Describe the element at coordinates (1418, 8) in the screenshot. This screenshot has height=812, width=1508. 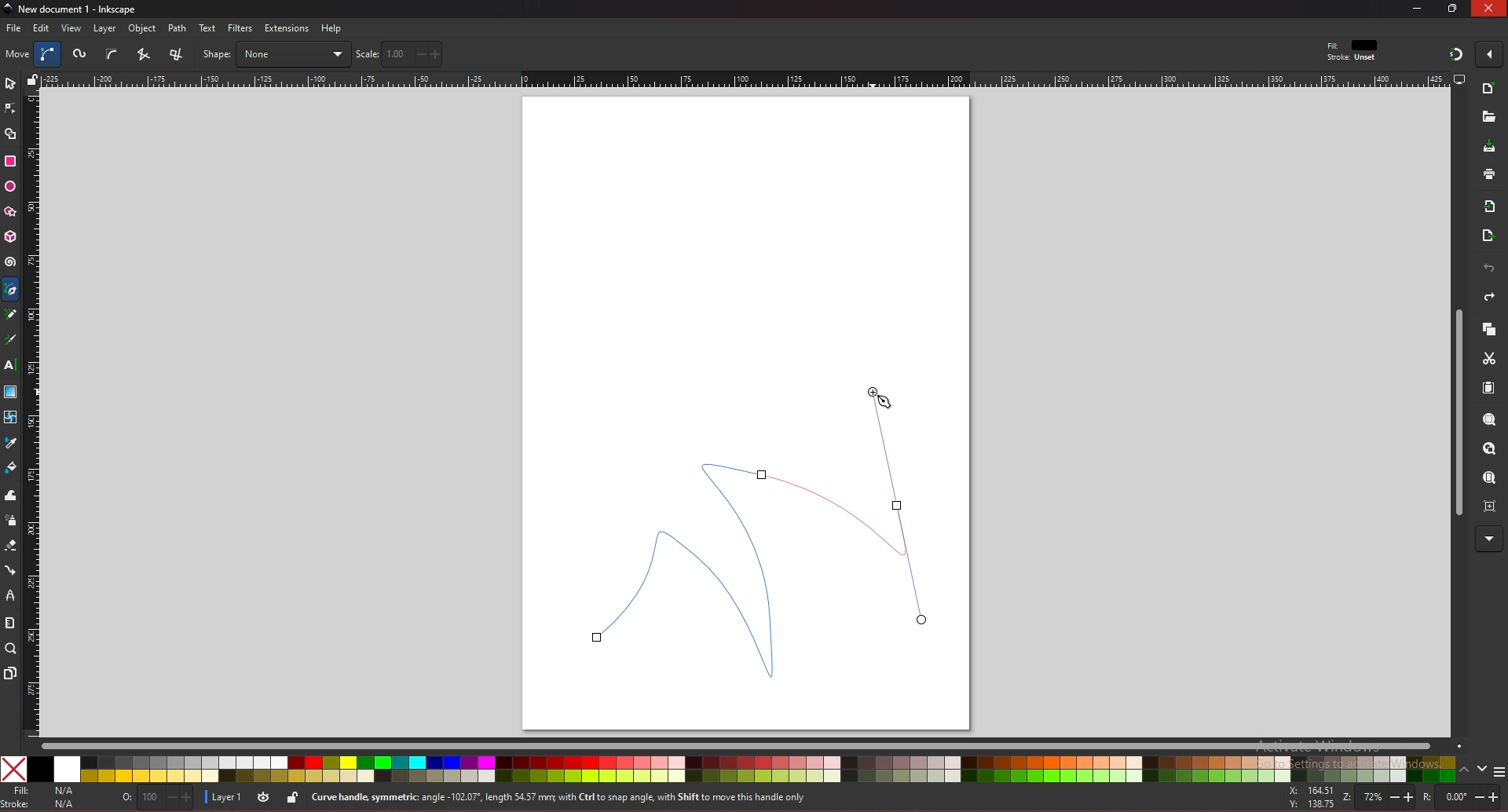
I see `minimize` at that location.